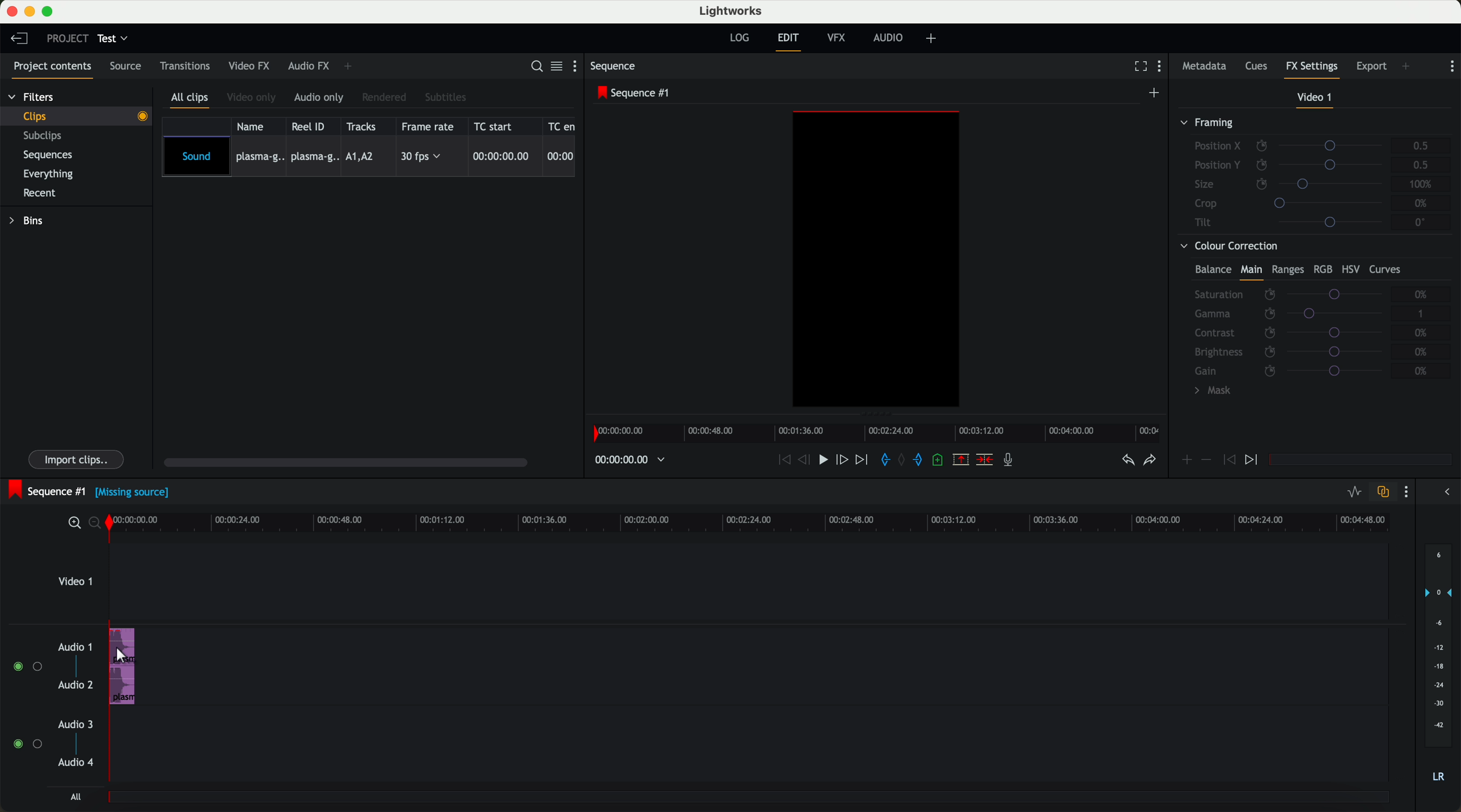  What do you see at coordinates (31, 99) in the screenshot?
I see `Filters tab` at bounding box center [31, 99].